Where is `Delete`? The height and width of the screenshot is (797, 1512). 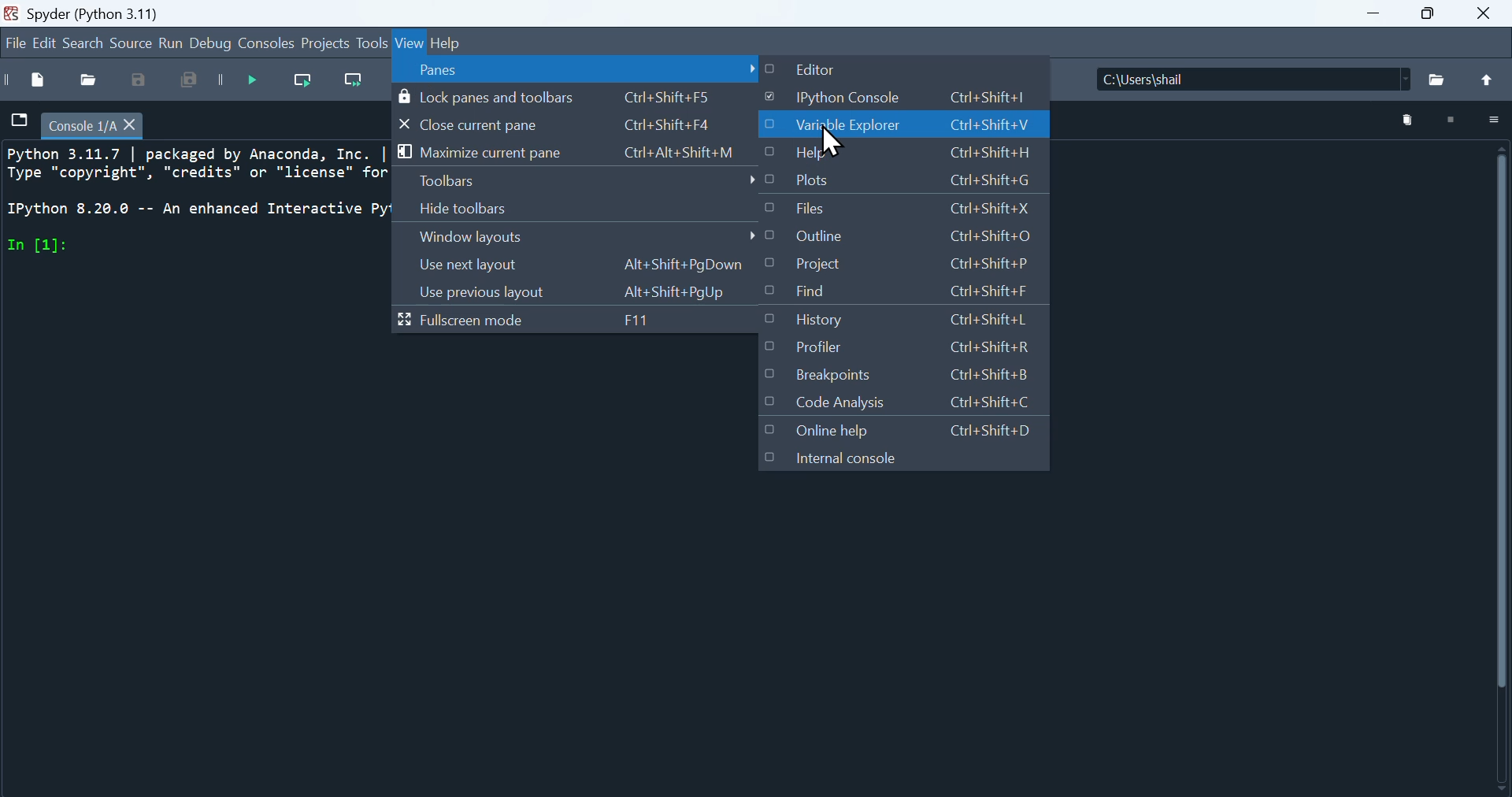 Delete is located at coordinates (1409, 120).